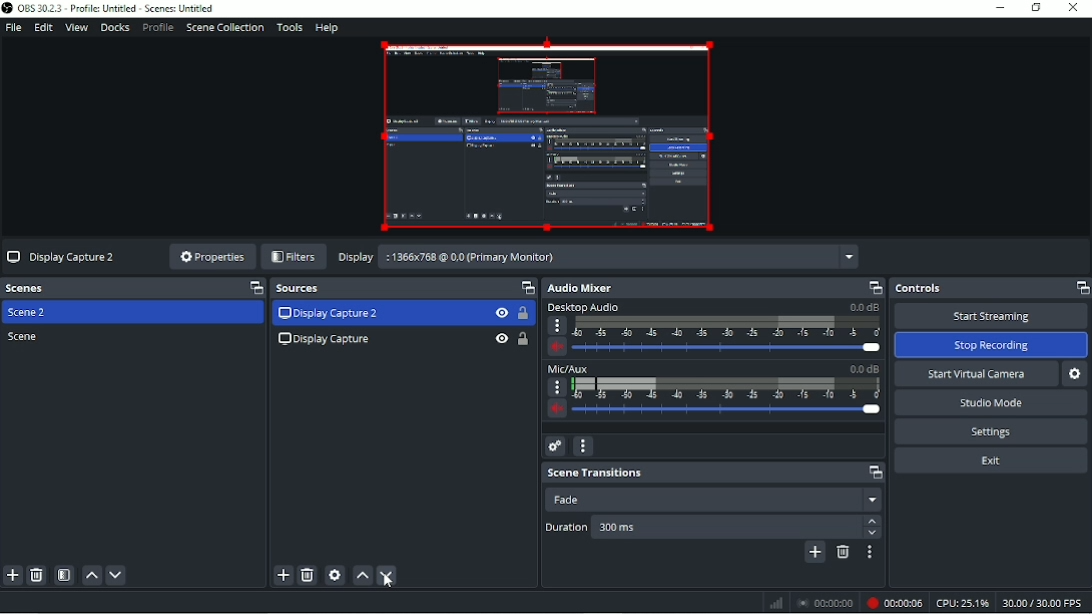  Describe the element at coordinates (544, 135) in the screenshot. I see `Video (Display capture 2)` at that location.